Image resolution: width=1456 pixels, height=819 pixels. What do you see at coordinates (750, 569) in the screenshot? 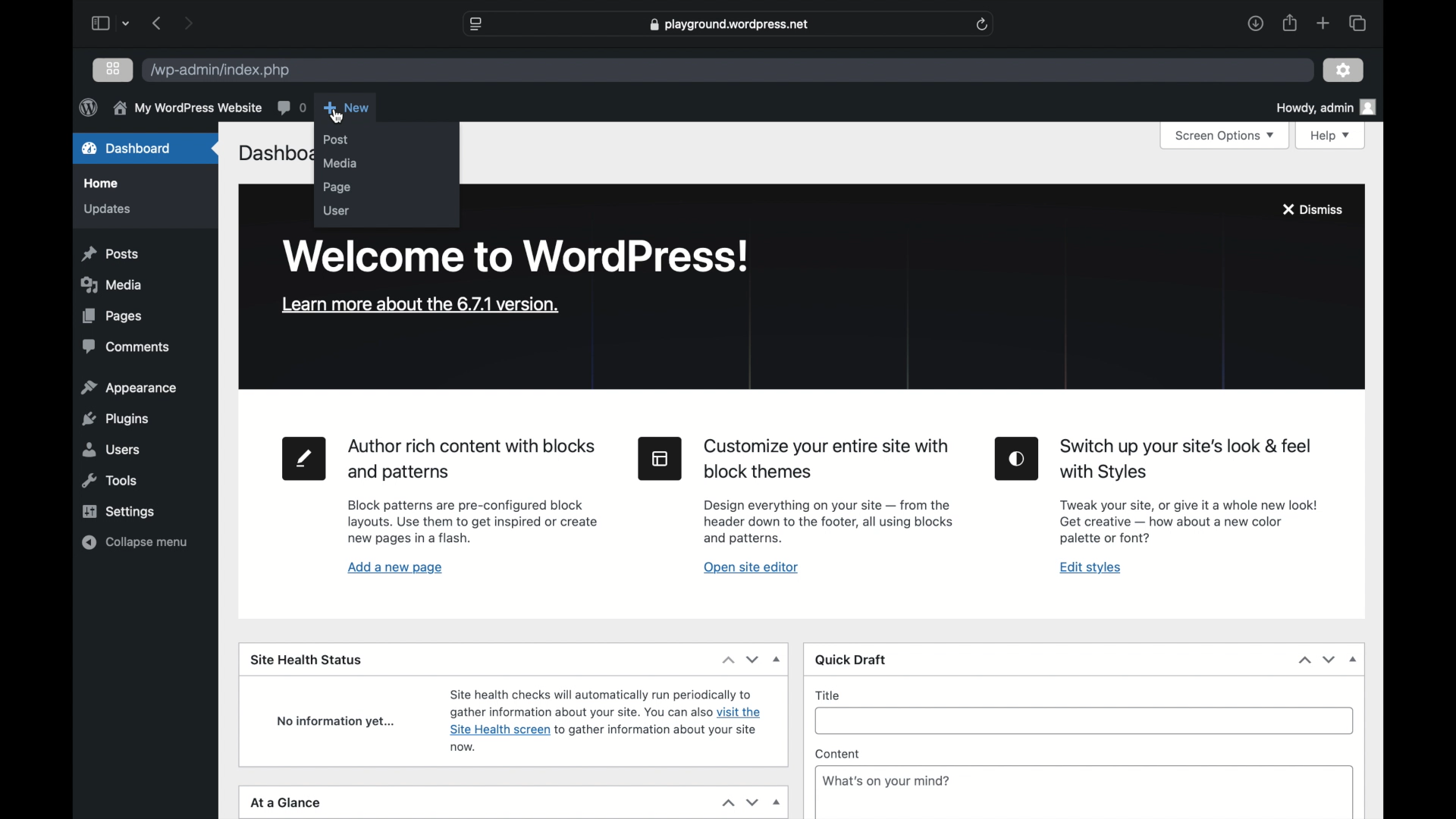
I see `open site editor` at bounding box center [750, 569].